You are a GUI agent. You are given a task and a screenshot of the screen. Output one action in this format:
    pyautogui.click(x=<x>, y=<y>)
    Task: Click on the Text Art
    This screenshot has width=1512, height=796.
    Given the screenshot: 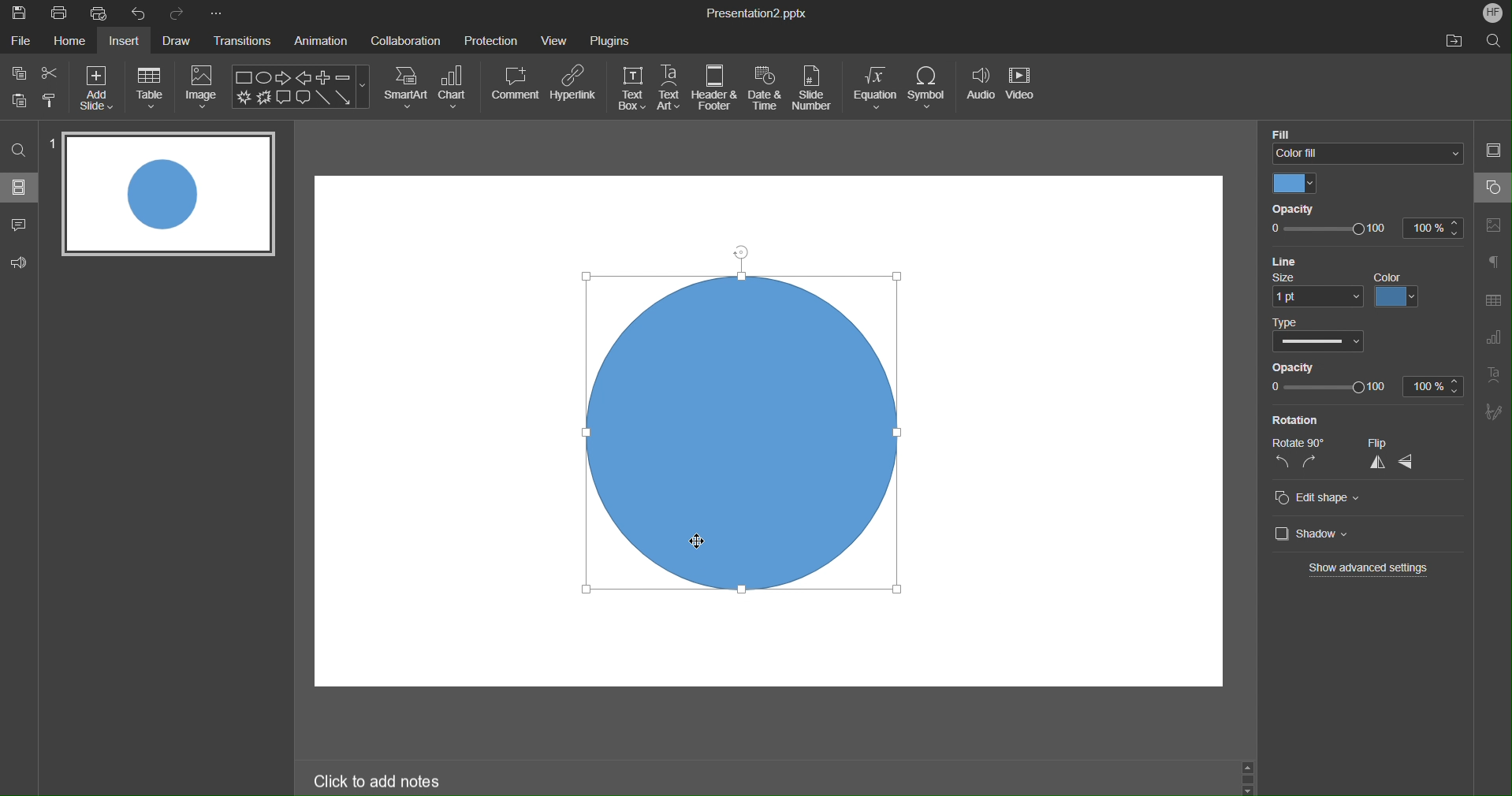 What is the action you would take?
    pyautogui.click(x=670, y=88)
    